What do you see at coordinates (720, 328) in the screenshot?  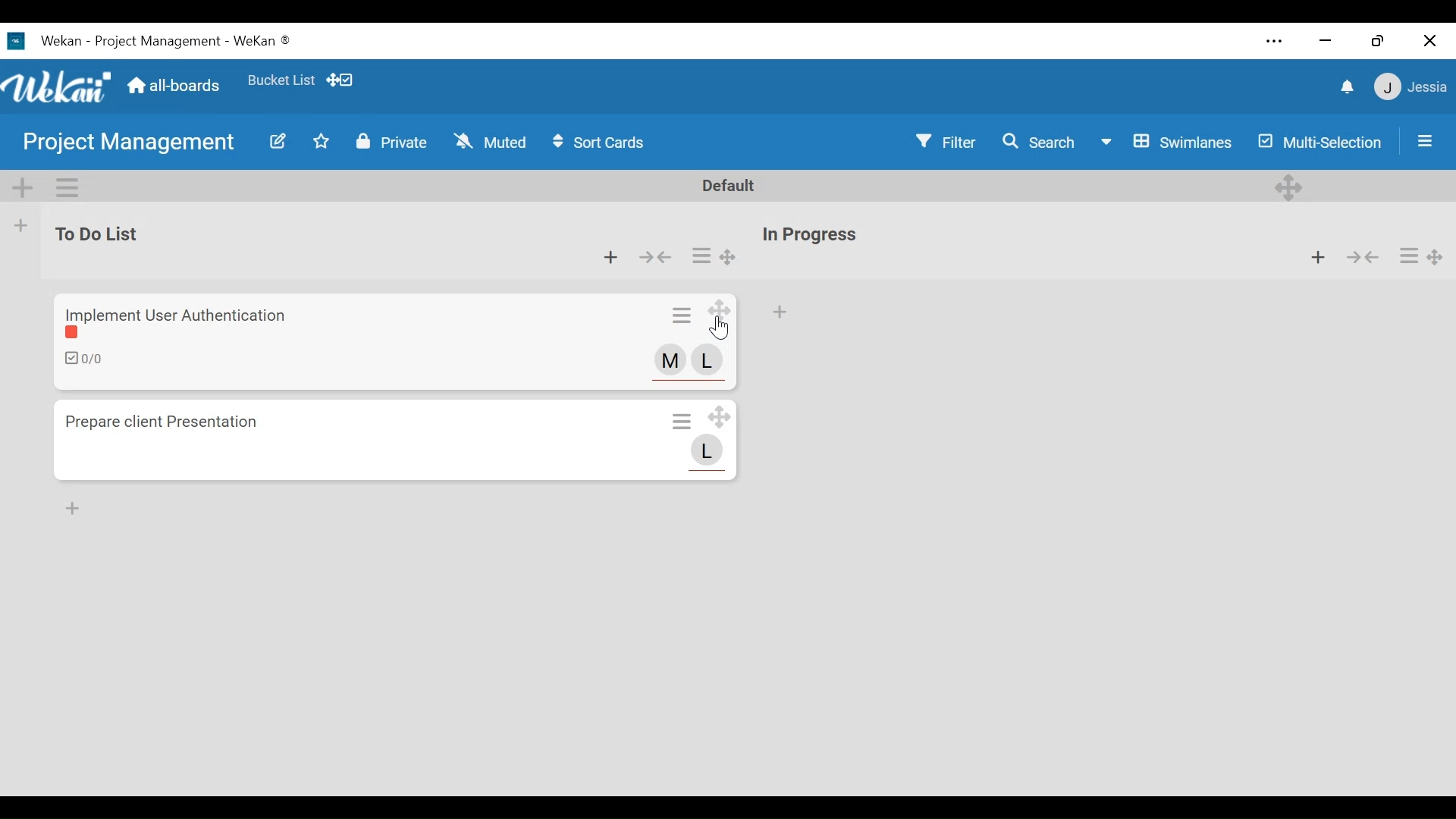 I see `Cursor` at bounding box center [720, 328].